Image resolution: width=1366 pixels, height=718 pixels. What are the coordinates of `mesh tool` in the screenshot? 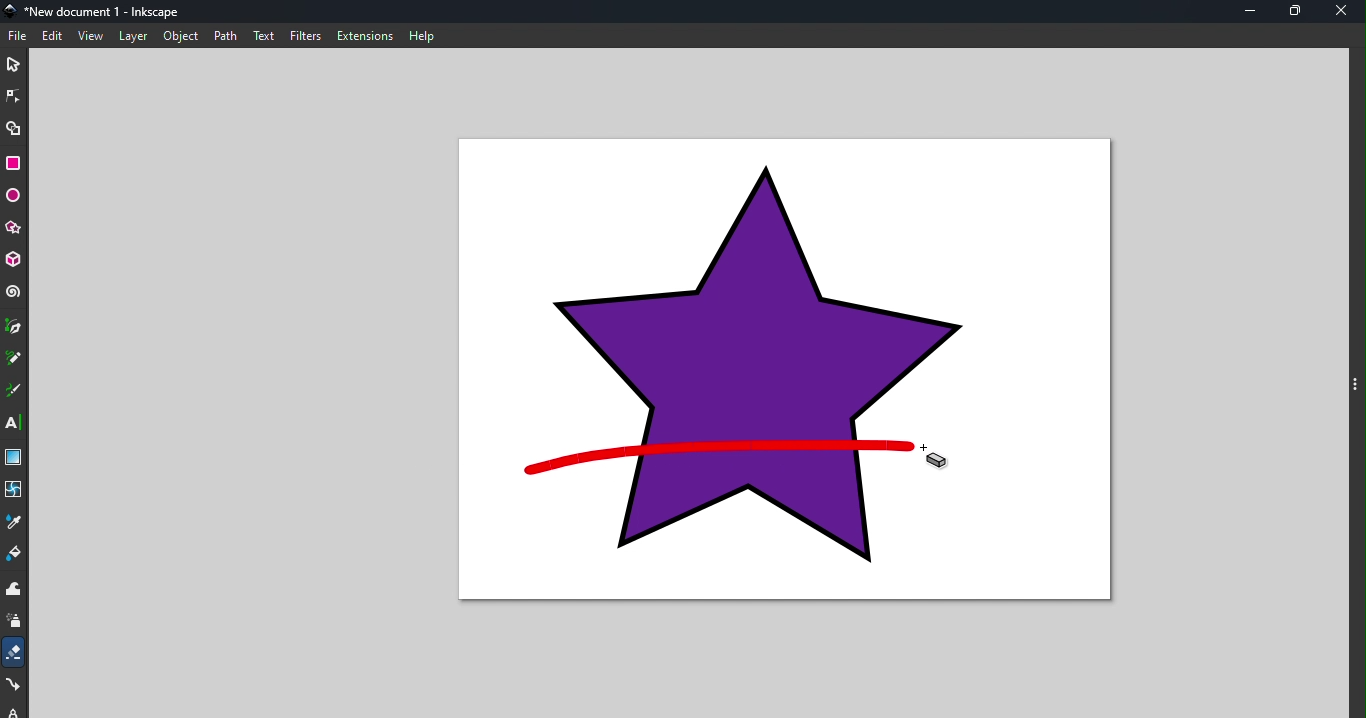 It's located at (15, 489).